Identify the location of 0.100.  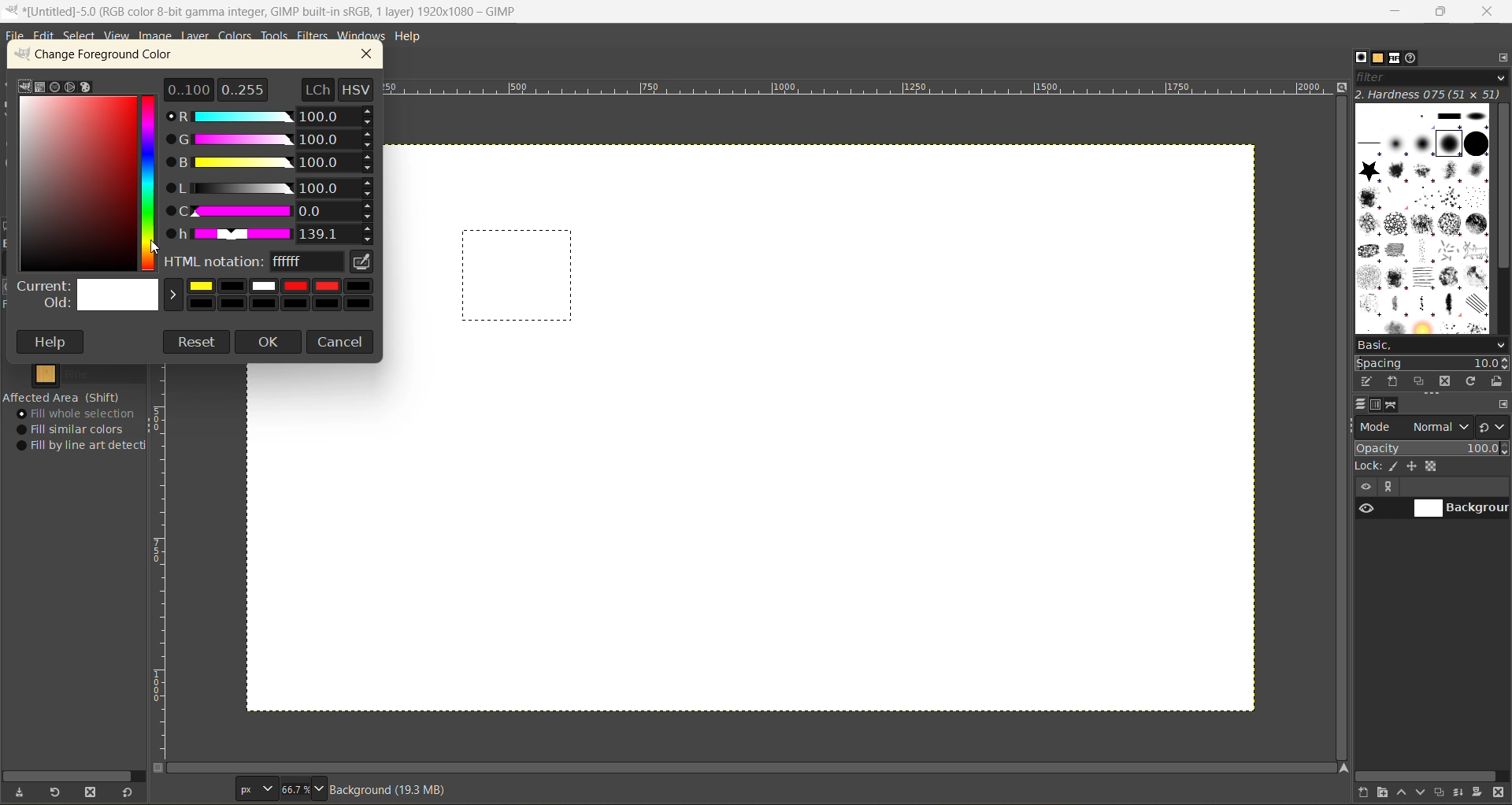
(189, 88).